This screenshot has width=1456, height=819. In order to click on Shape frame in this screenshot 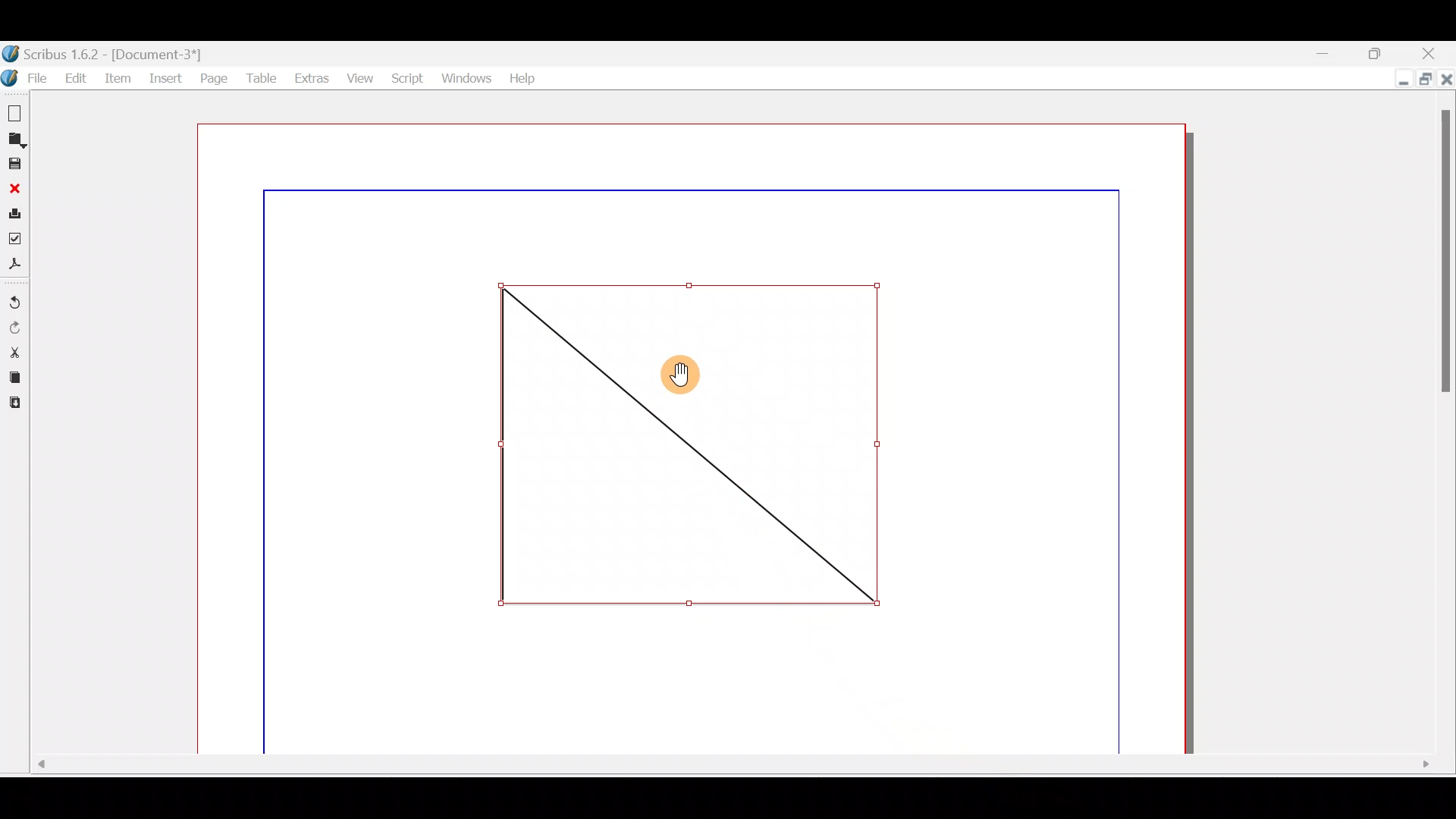, I will do `click(685, 442)`.